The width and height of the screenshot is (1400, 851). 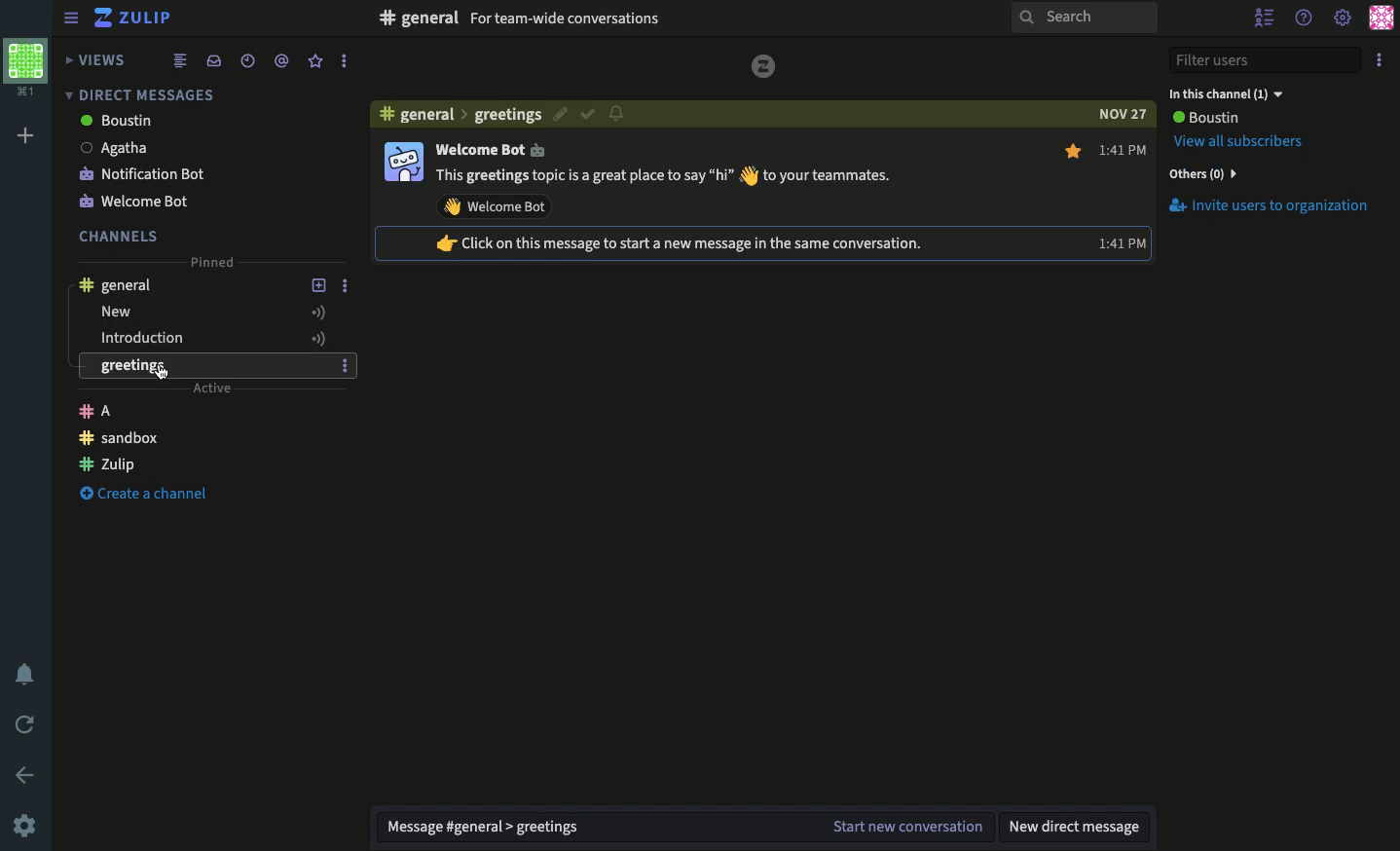 What do you see at coordinates (136, 94) in the screenshot?
I see `Direct messages` at bounding box center [136, 94].